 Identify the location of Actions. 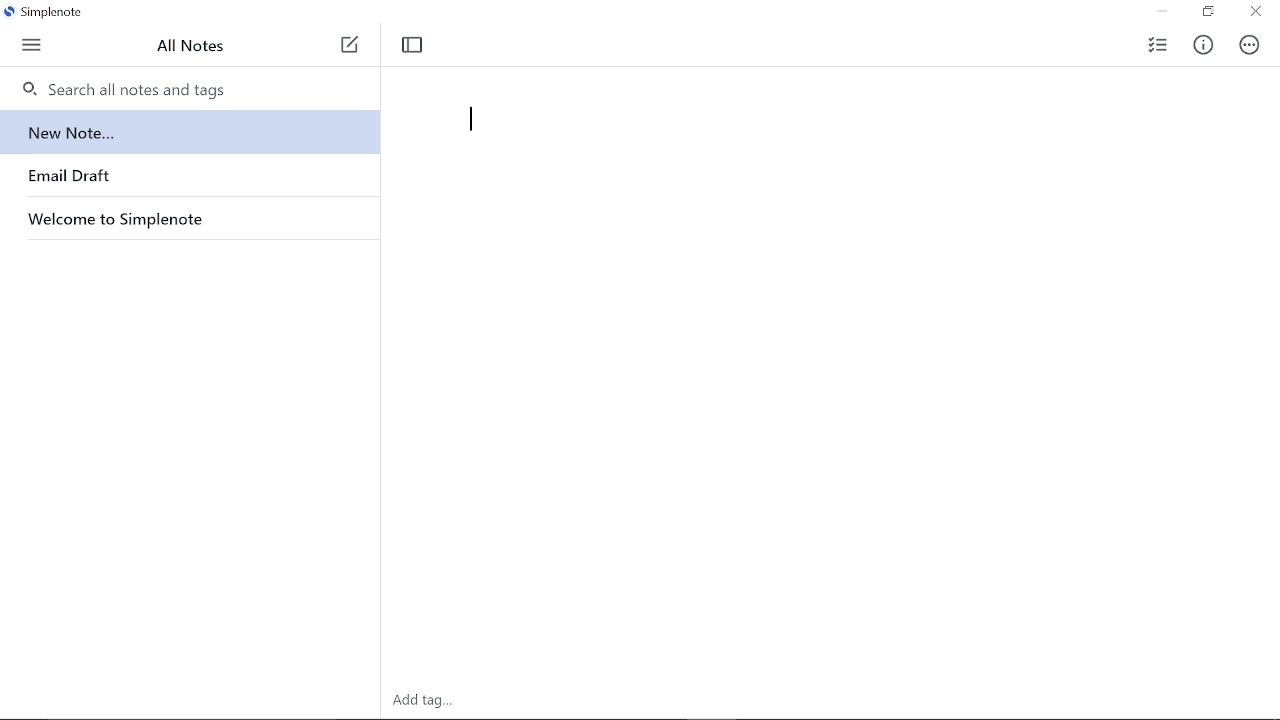
(1250, 46).